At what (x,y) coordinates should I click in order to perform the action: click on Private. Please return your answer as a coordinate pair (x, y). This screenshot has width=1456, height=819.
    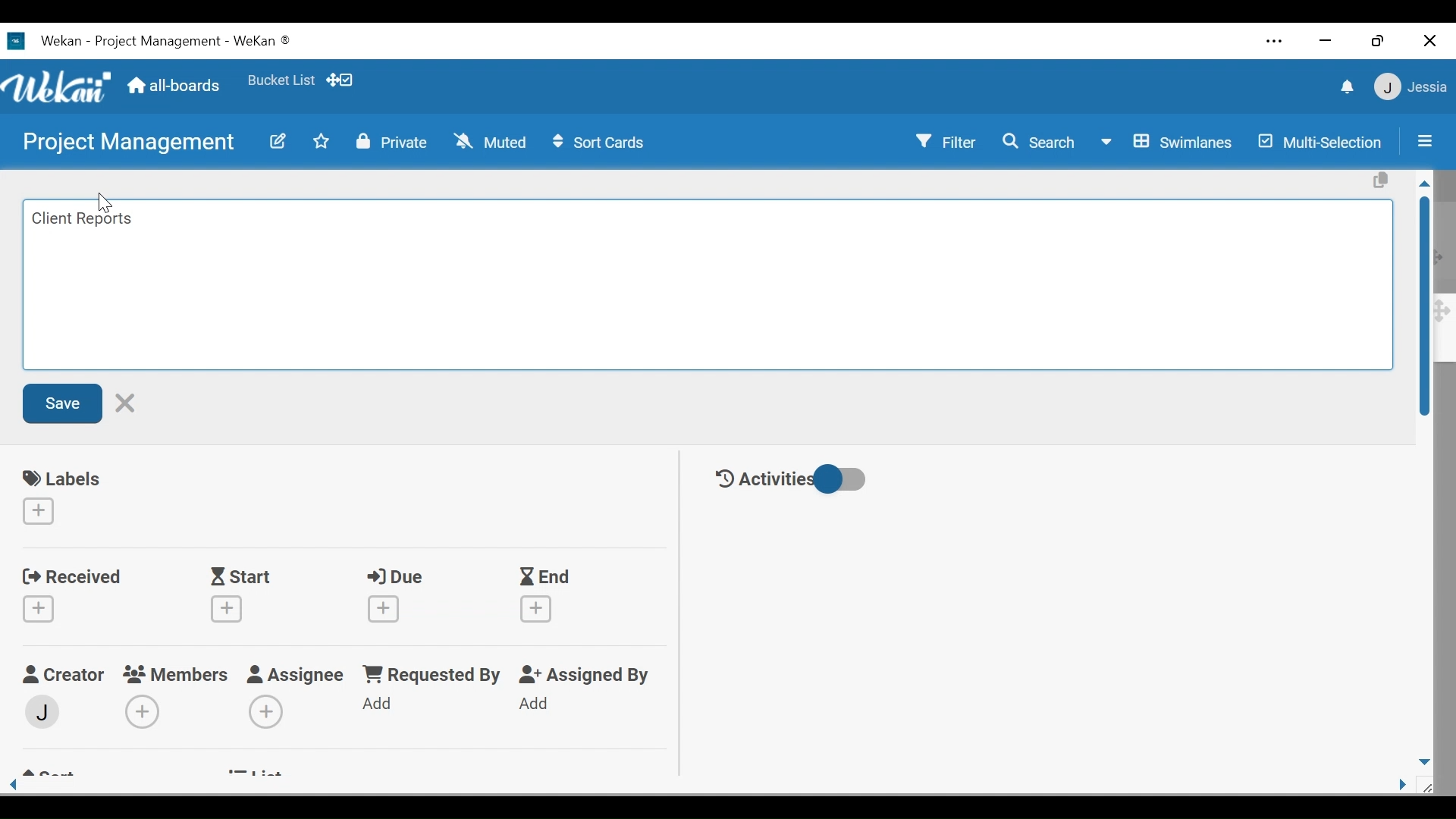
    Looking at the image, I should click on (392, 142).